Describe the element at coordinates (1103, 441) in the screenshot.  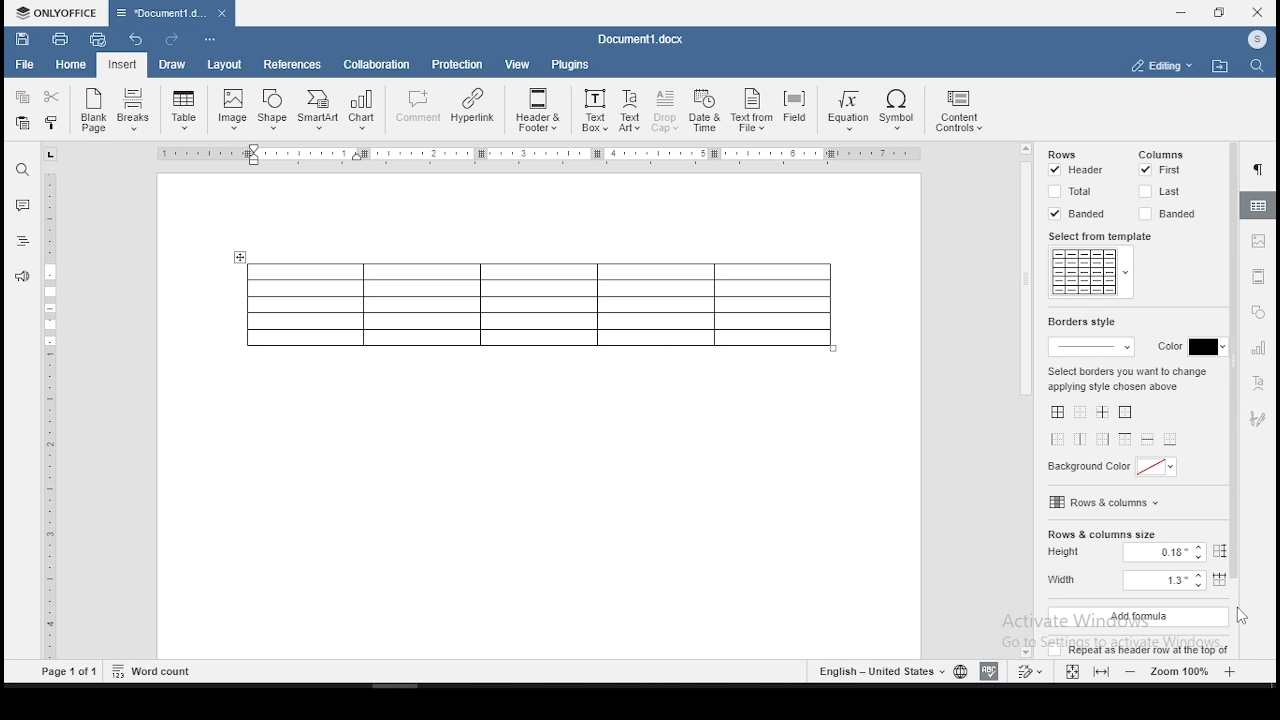
I see `outer left boundary only` at that location.